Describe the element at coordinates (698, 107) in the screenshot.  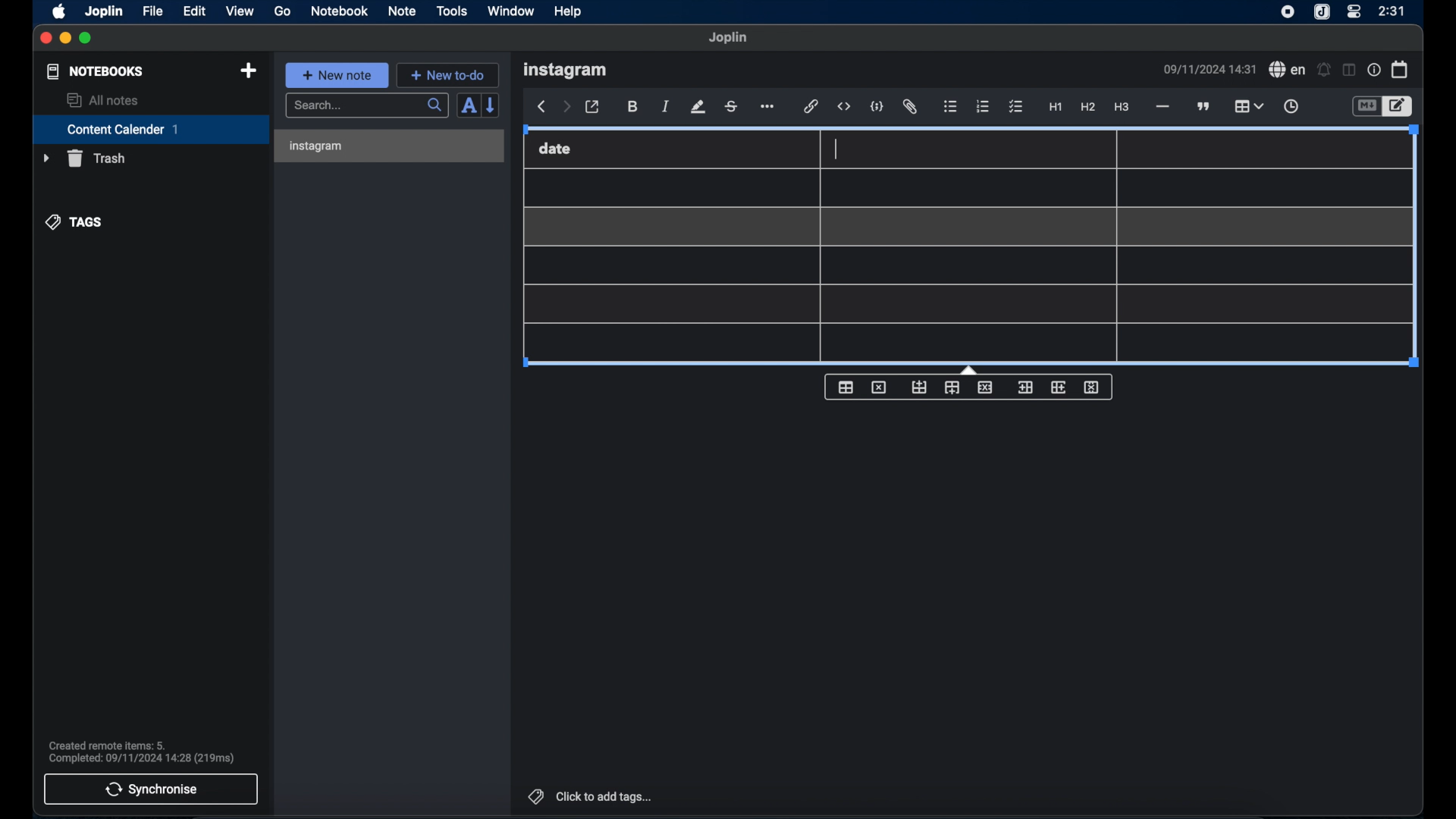
I see `highlight` at that location.